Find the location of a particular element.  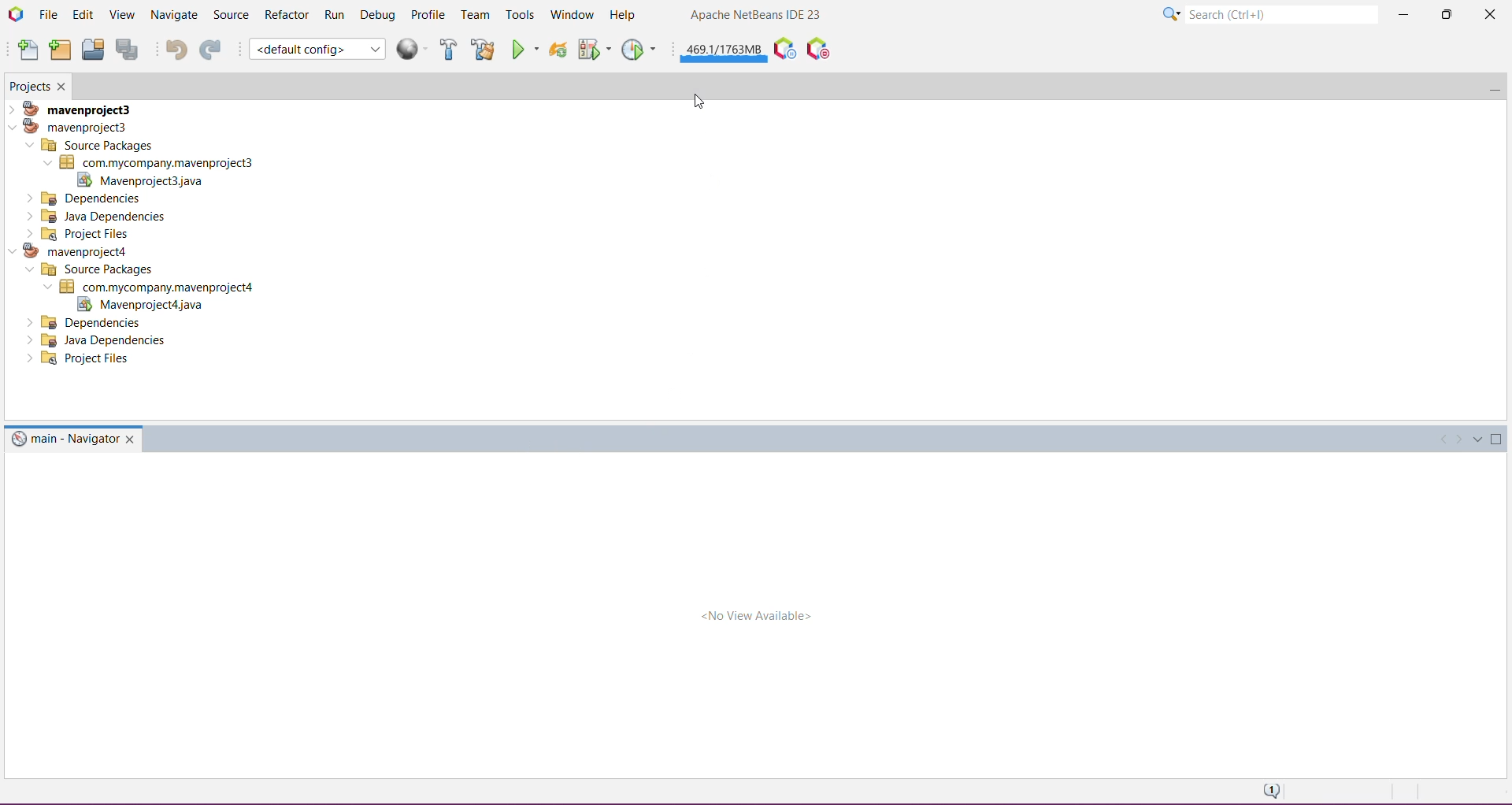

Project Files is located at coordinates (81, 360).